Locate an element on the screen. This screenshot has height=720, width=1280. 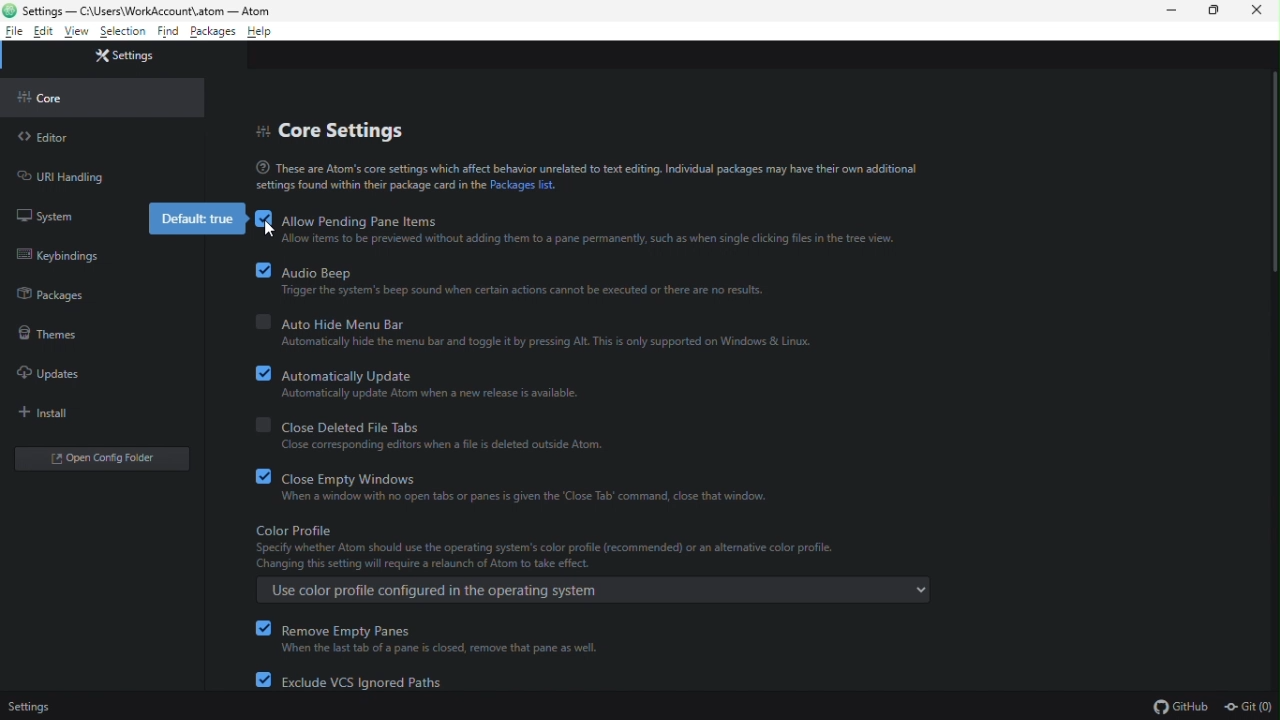
close empty window. When a window with no open tabs or panes is given the "Close Tab" command, close the window. is located at coordinates (512, 485).